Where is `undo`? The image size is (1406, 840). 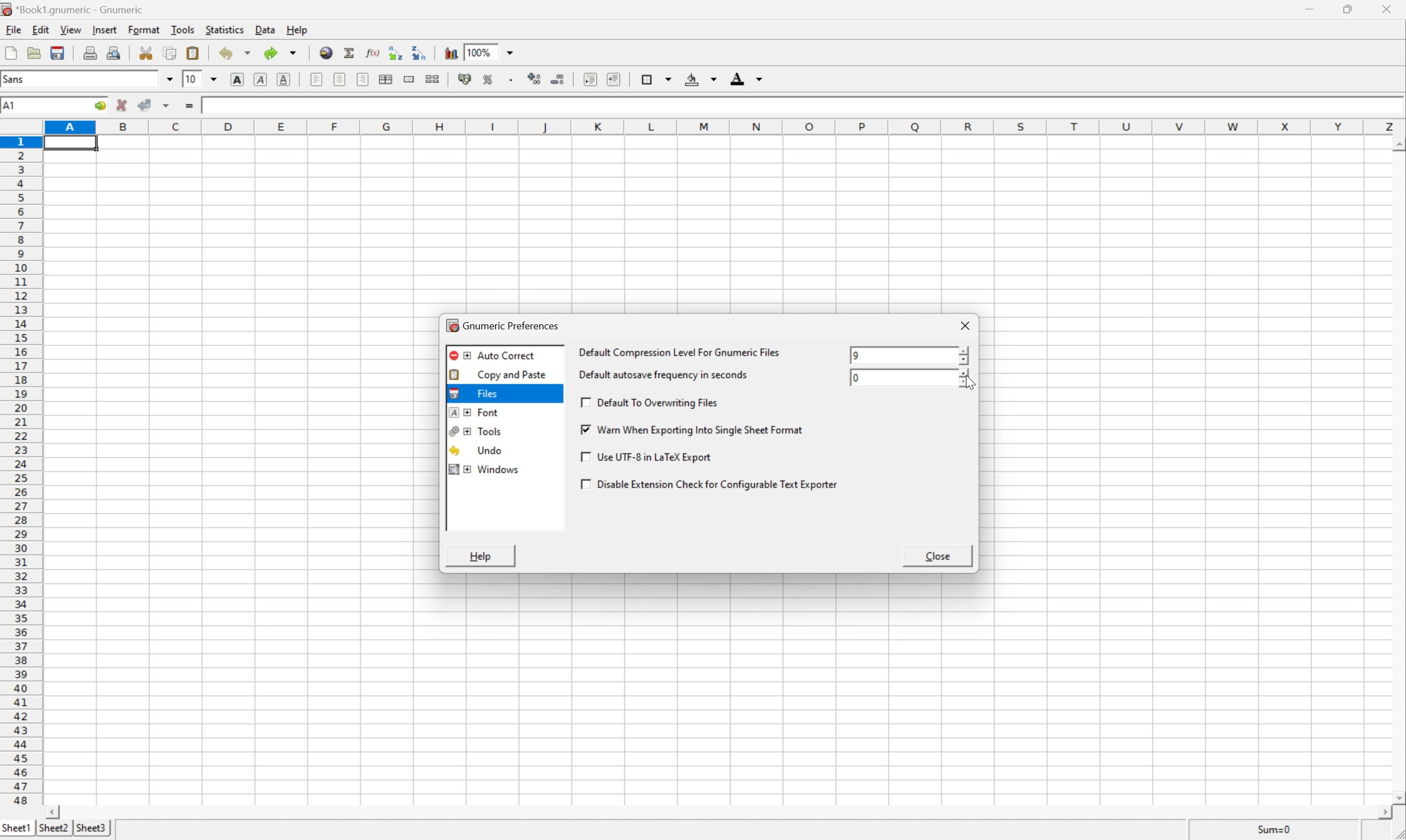
undo is located at coordinates (234, 53).